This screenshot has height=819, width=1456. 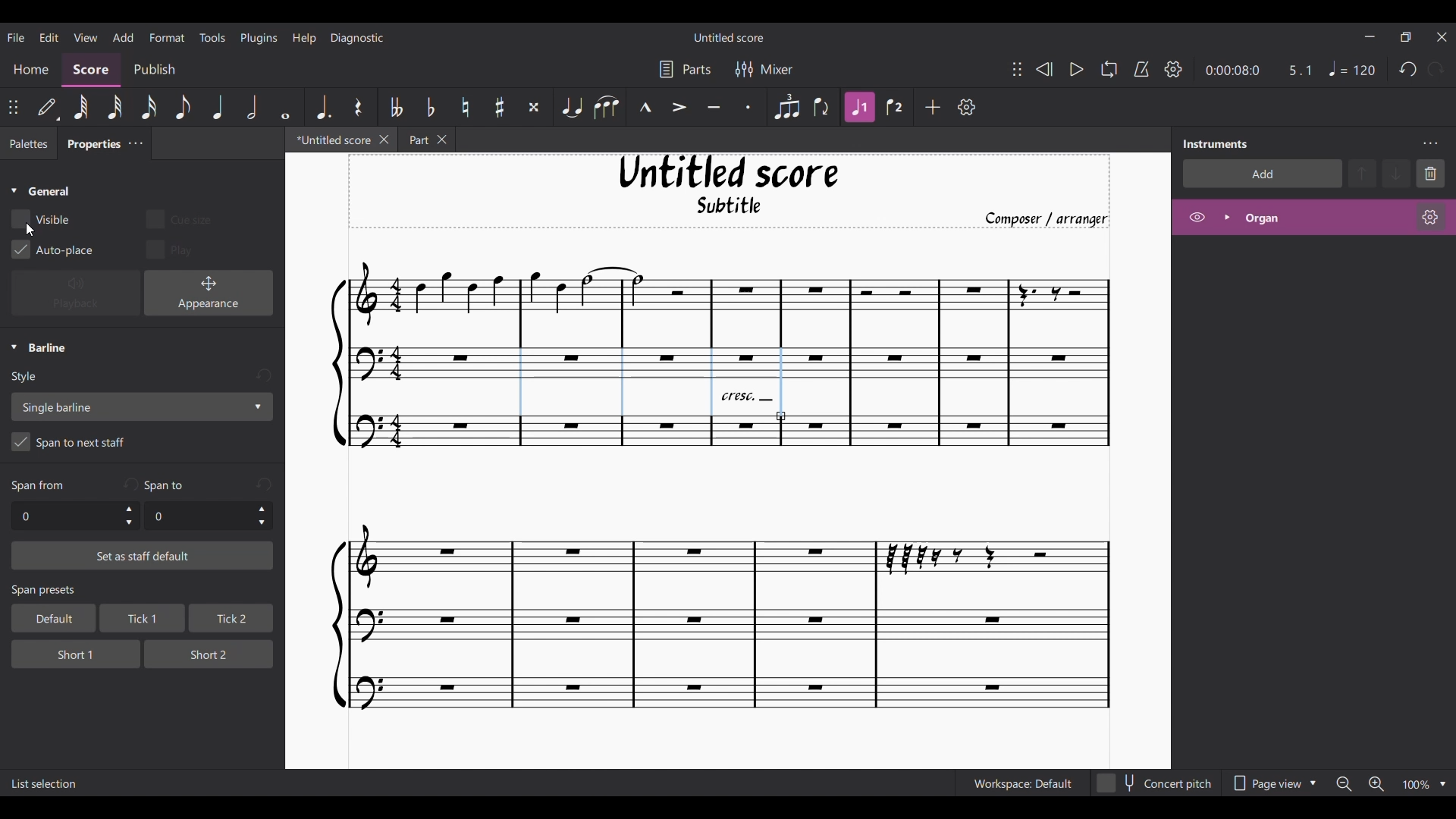 What do you see at coordinates (731, 209) in the screenshot?
I see `Subtitle` at bounding box center [731, 209].